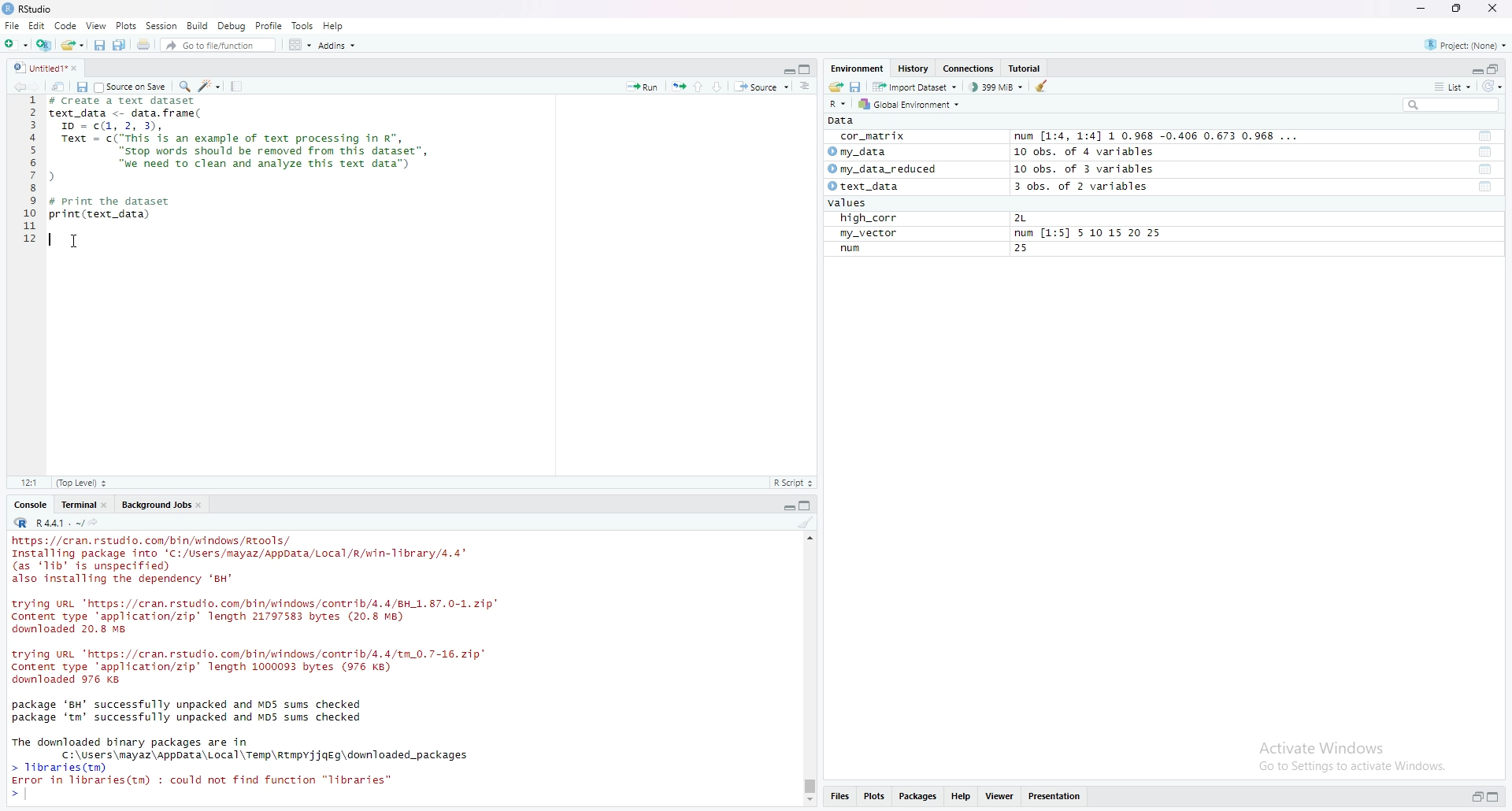  I want to click on file, so click(11, 26).